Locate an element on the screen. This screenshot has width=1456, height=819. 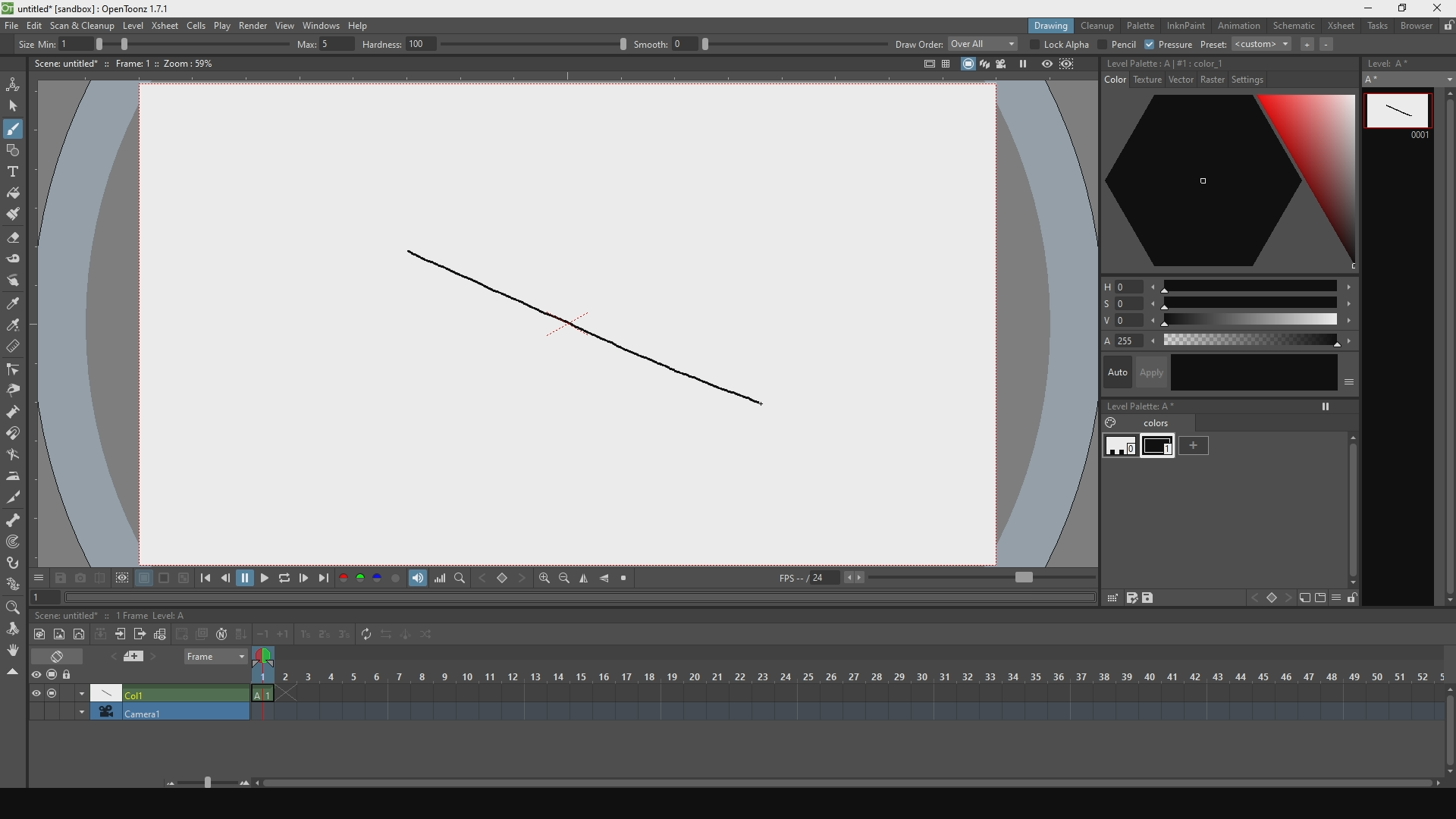
define region is located at coordinates (121, 580).